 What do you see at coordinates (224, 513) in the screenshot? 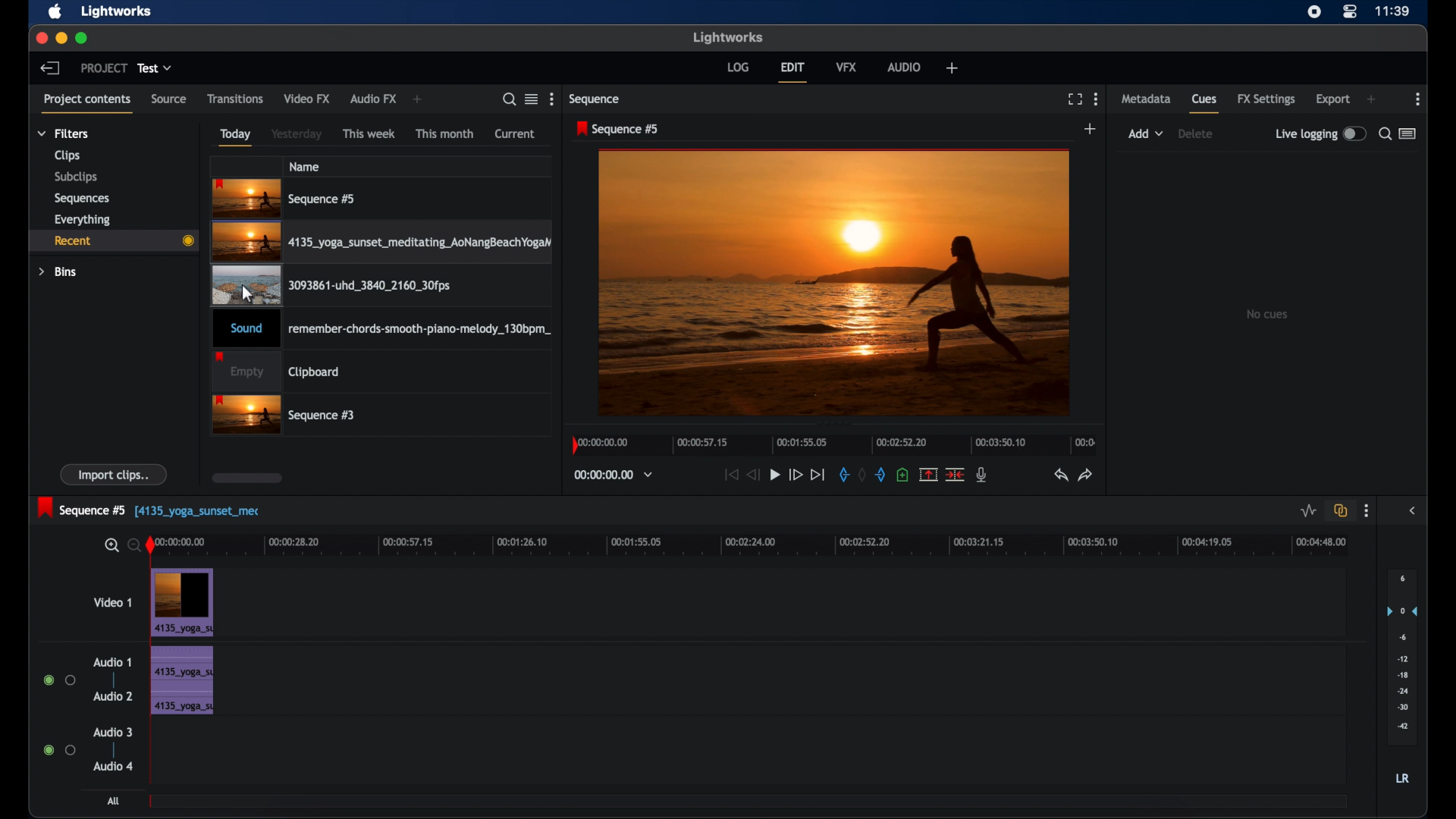
I see `track name` at bounding box center [224, 513].